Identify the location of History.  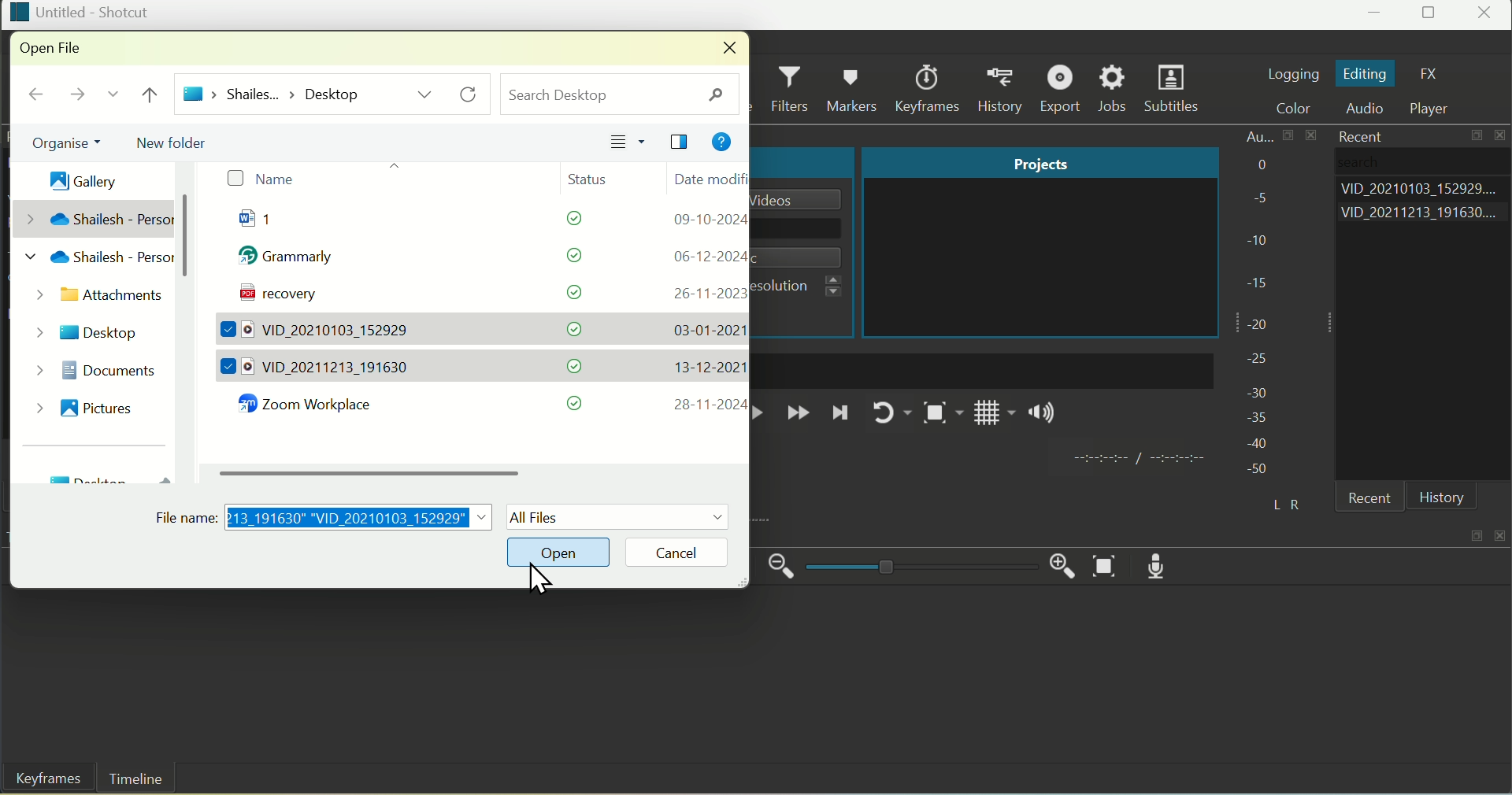
(1004, 89).